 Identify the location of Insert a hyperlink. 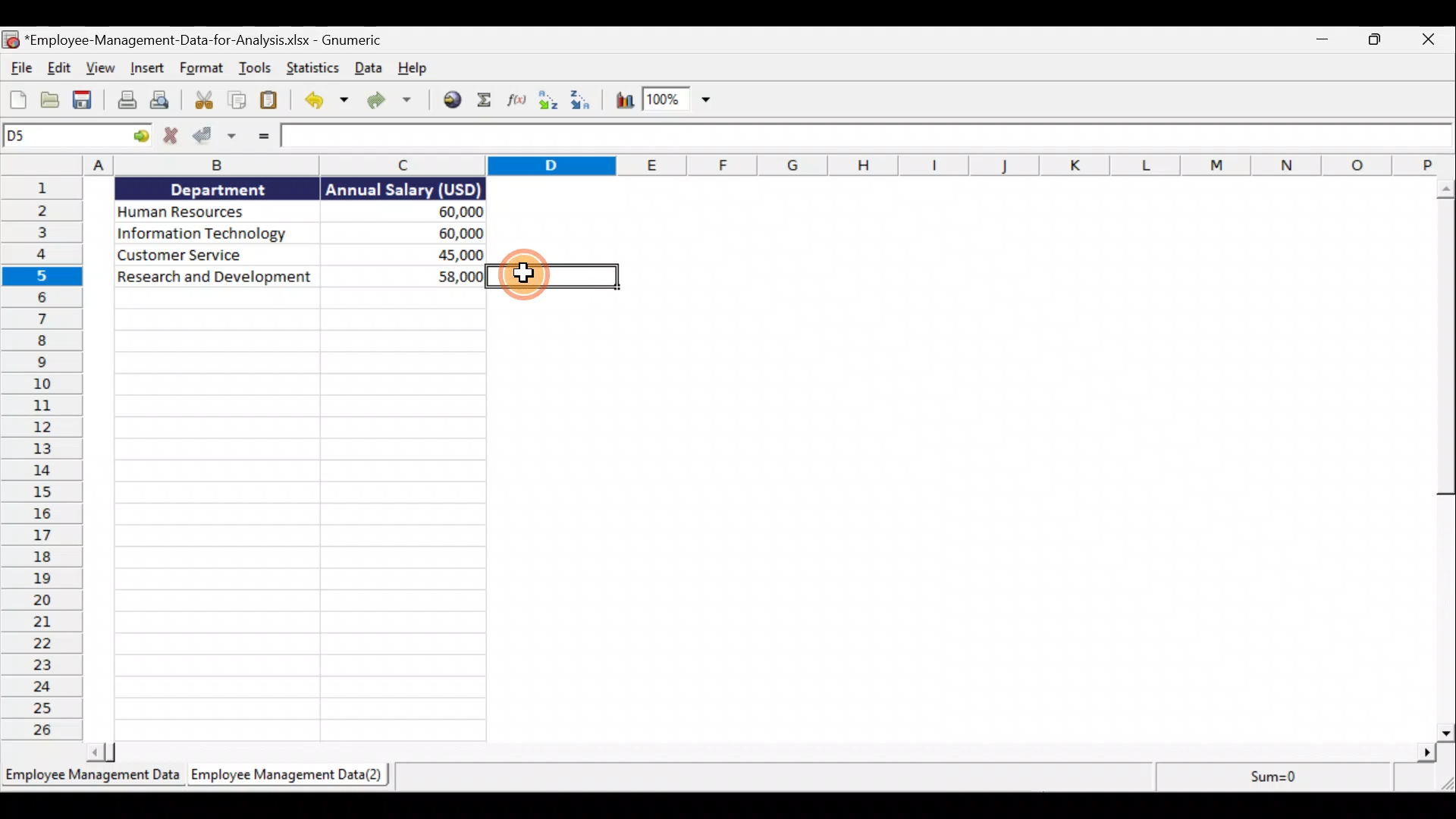
(452, 103).